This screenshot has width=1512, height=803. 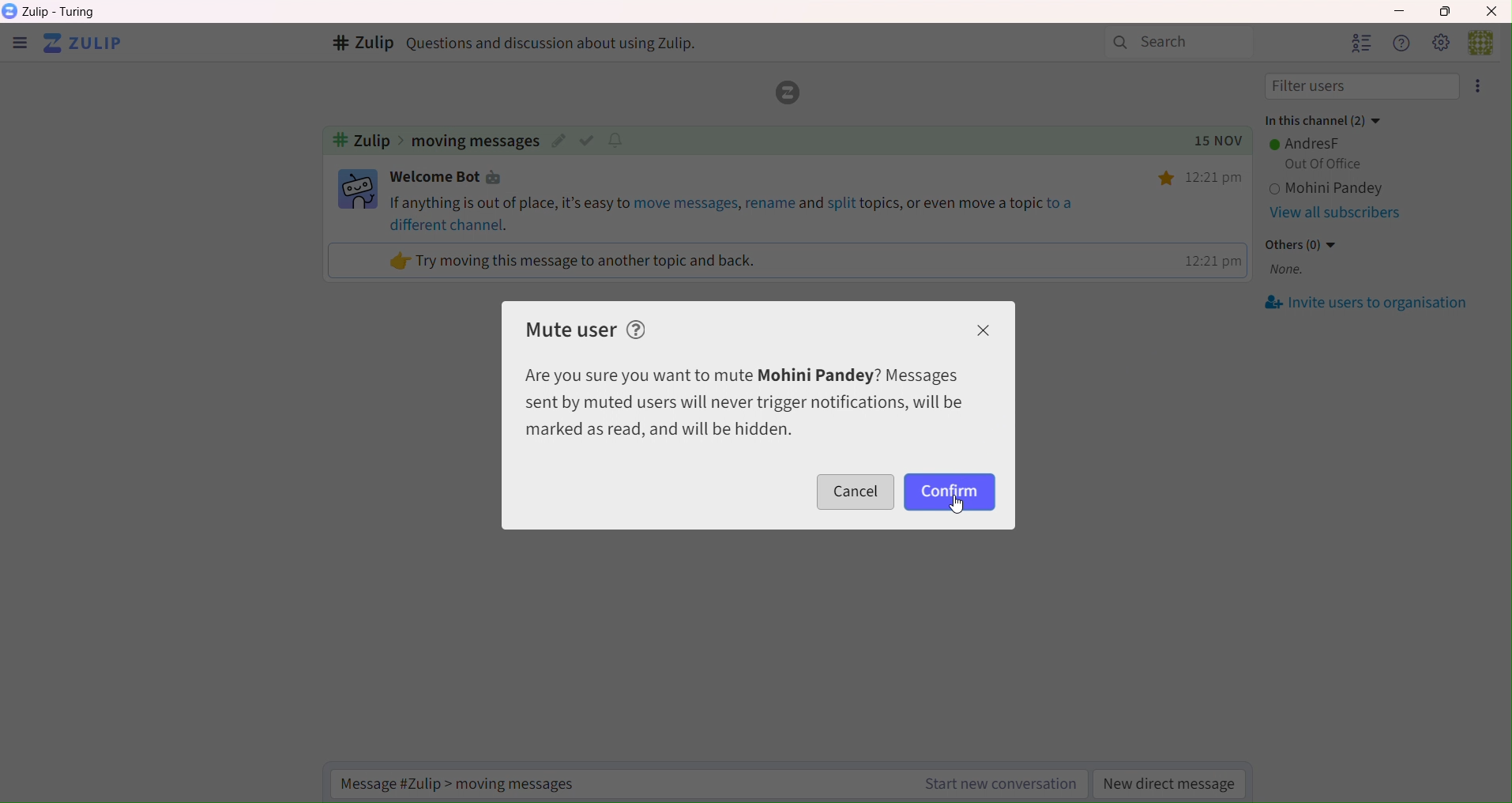 What do you see at coordinates (1440, 42) in the screenshot?
I see `Settings` at bounding box center [1440, 42].